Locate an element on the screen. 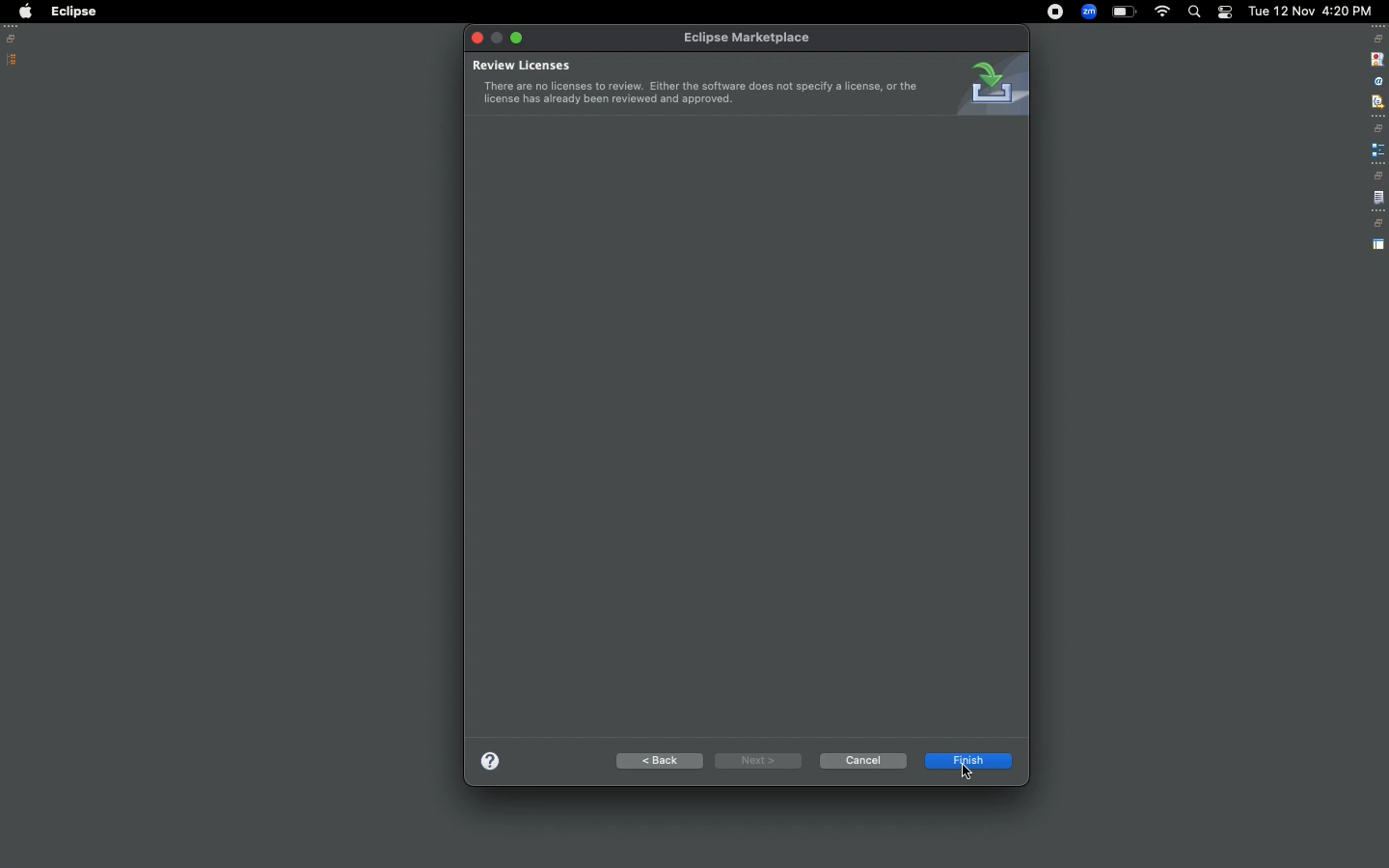  Charge is located at coordinates (1124, 13).